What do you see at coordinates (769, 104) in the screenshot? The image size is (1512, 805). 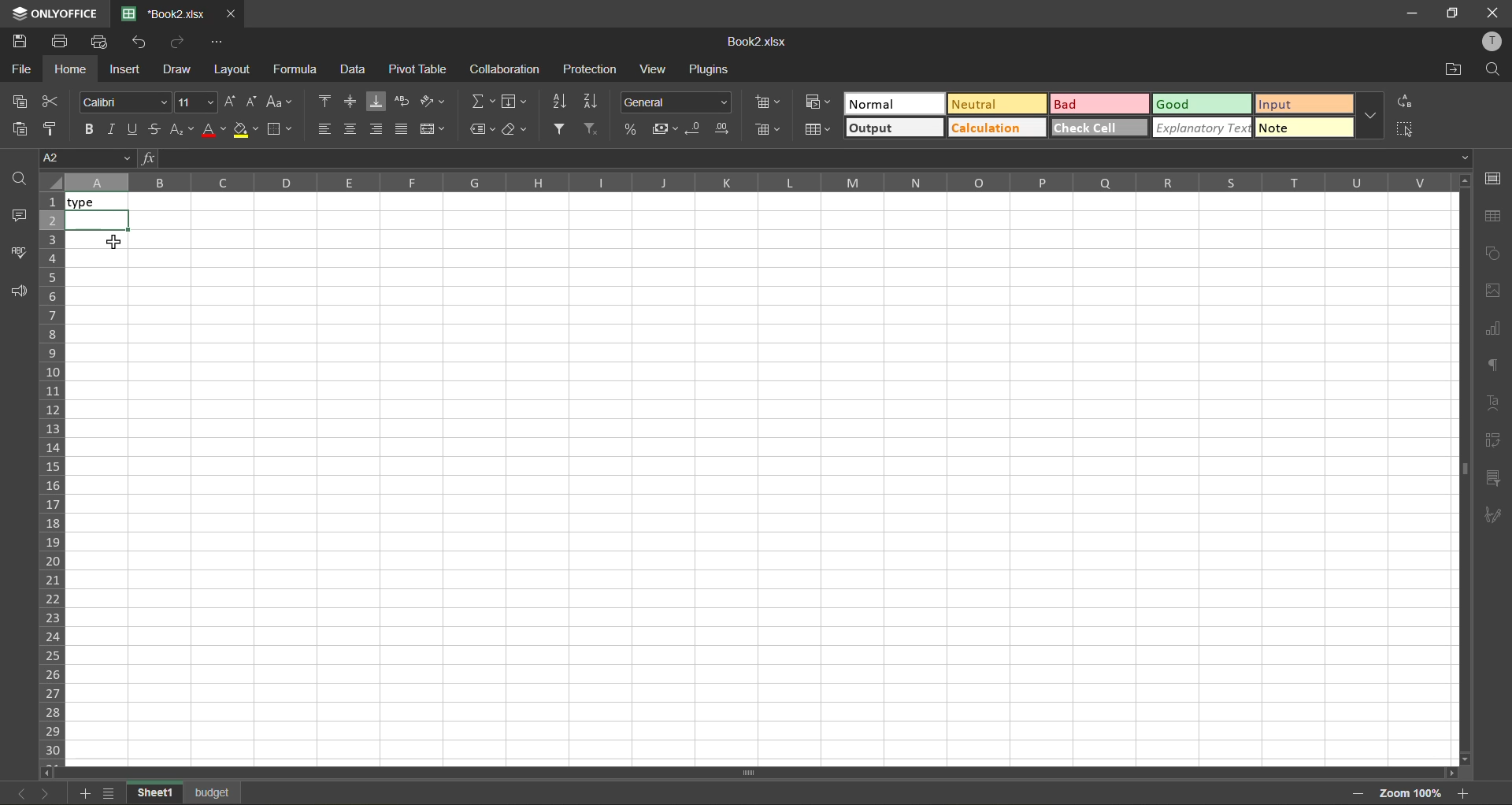 I see `insert cells ` at bounding box center [769, 104].